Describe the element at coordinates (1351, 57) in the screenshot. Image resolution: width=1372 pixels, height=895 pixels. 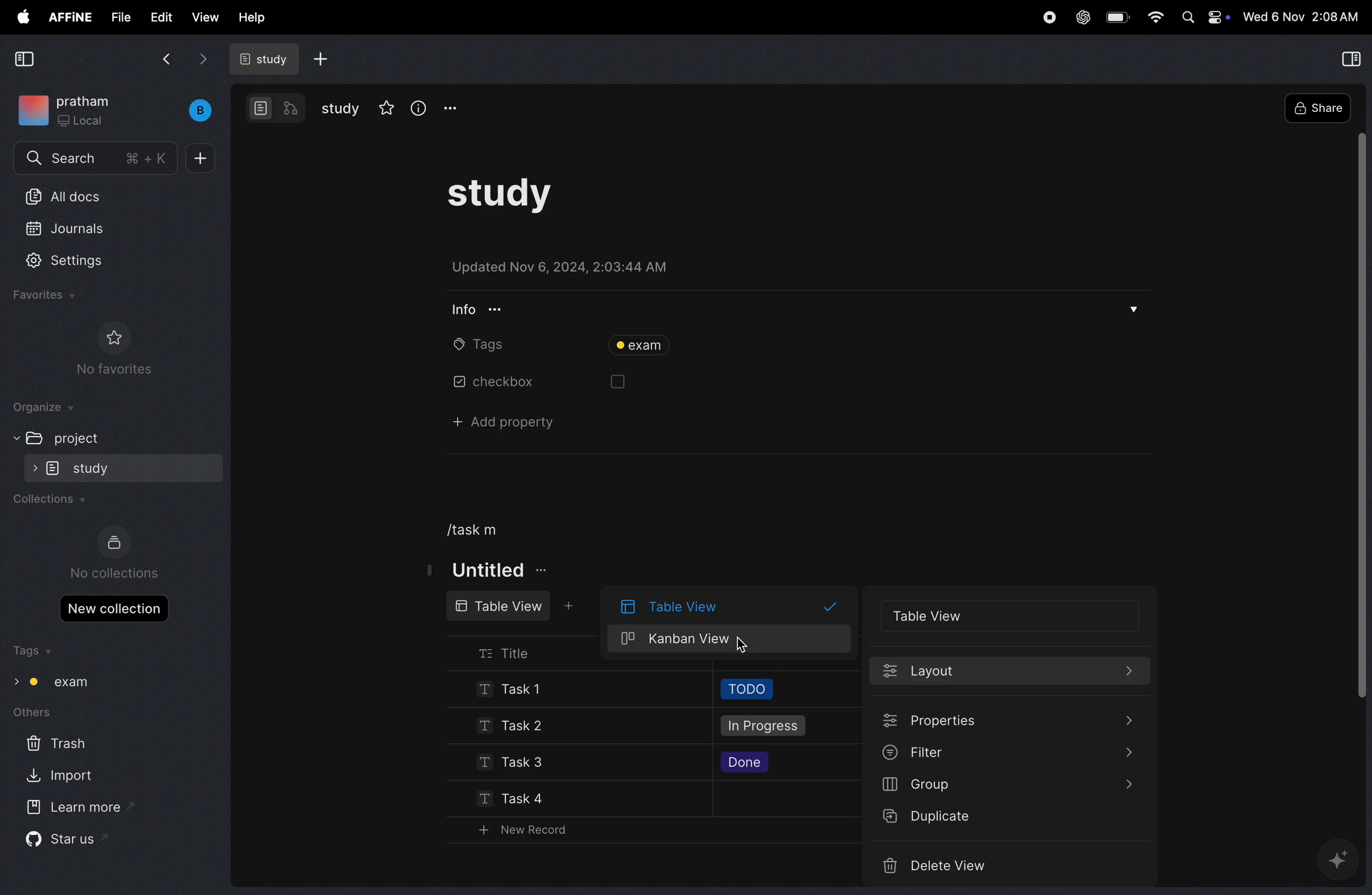
I see `collapse view` at that location.